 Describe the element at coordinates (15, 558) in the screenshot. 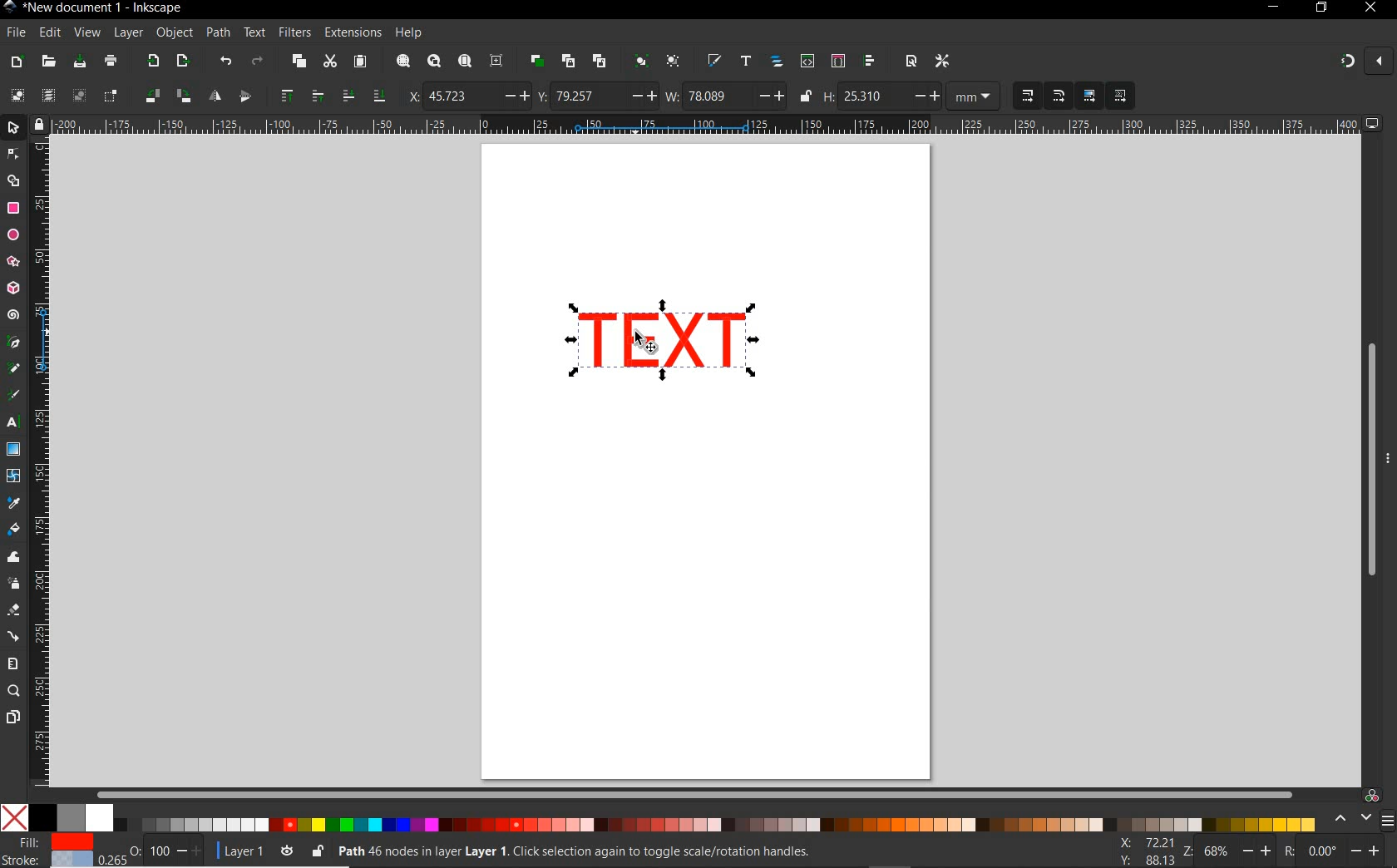

I see `TWEAK TOOL` at that location.